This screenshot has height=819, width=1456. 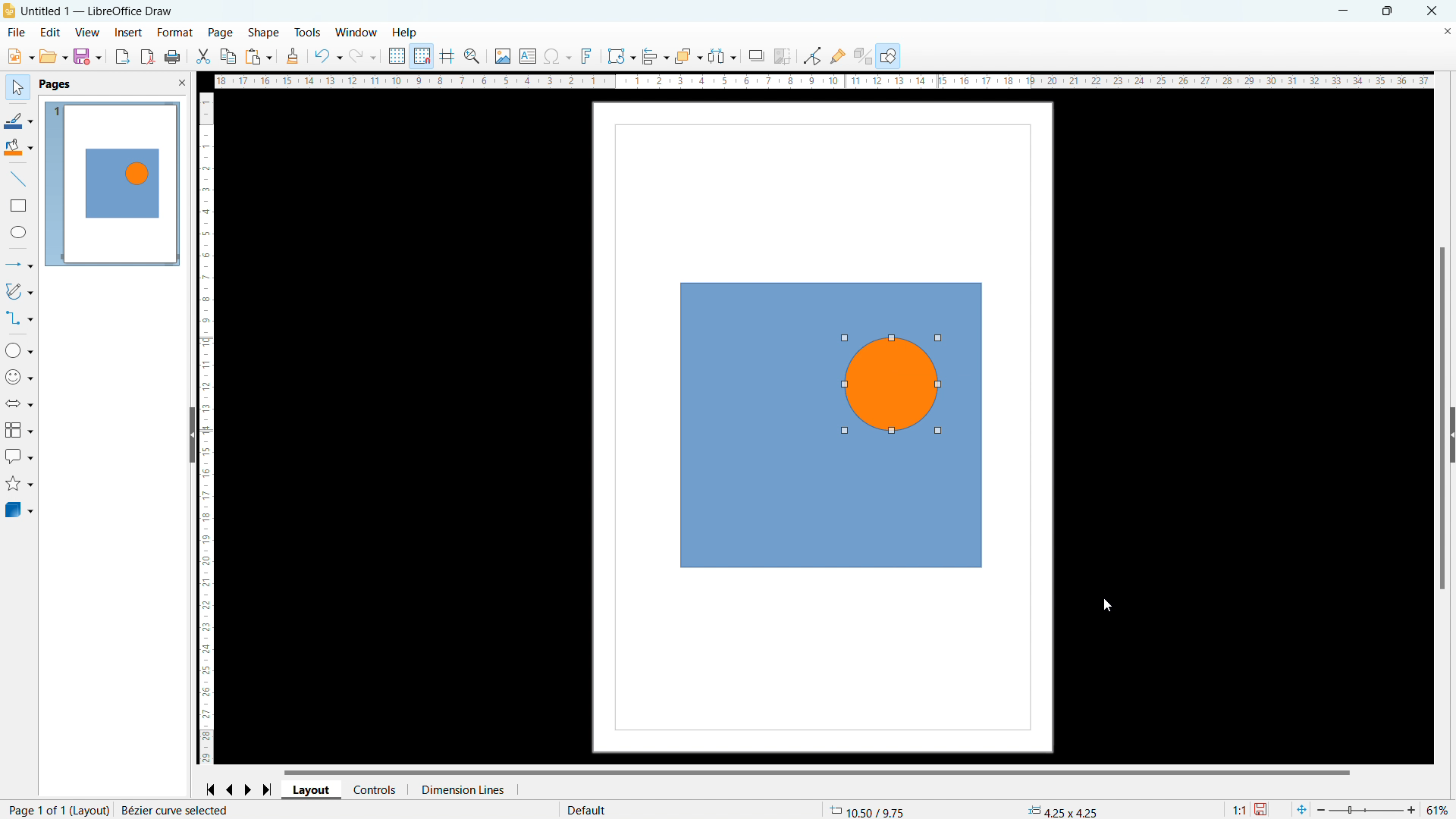 What do you see at coordinates (16, 33) in the screenshot?
I see `file` at bounding box center [16, 33].